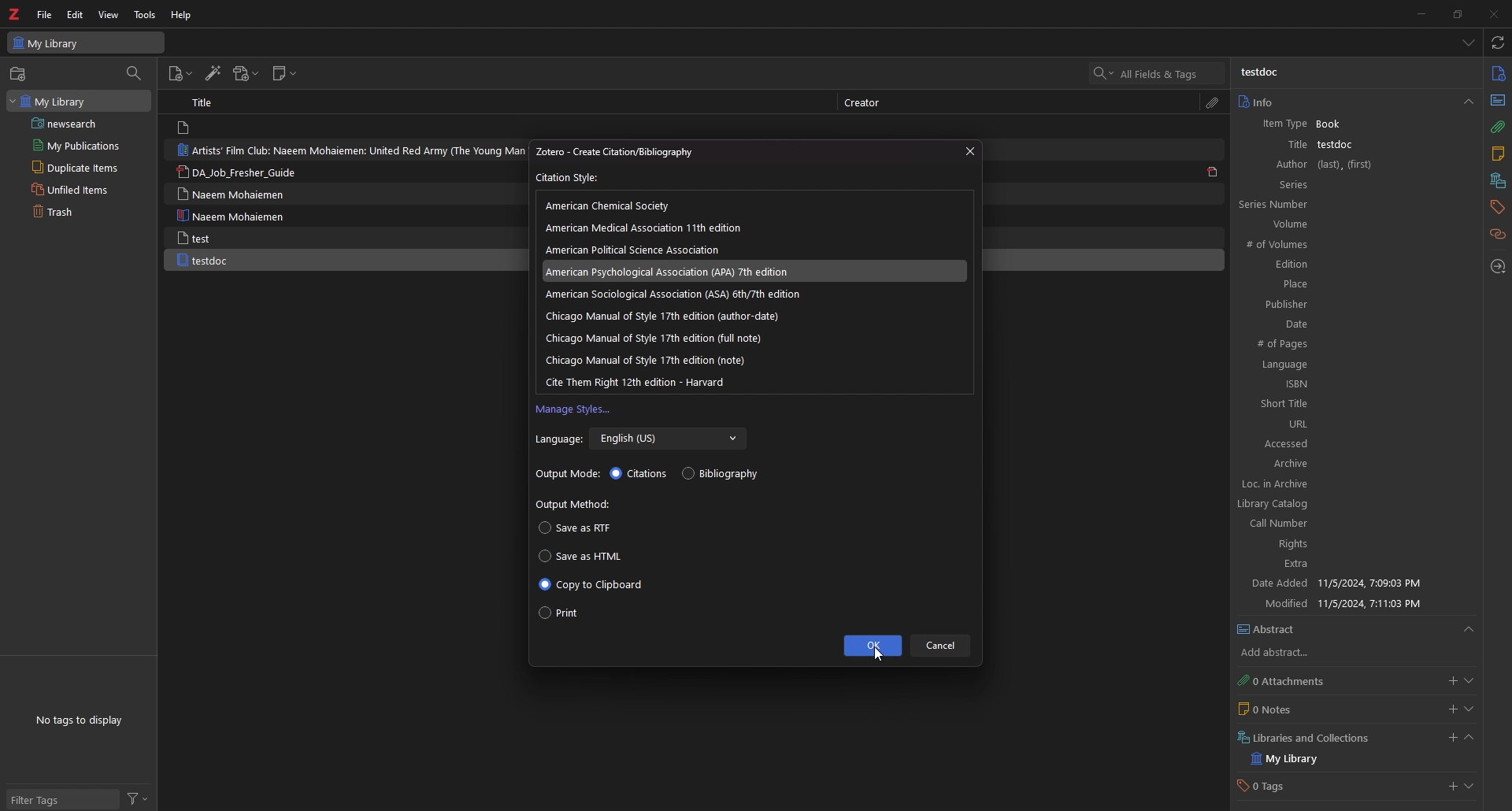 This screenshot has width=1512, height=811. Describe the element at coordinates (1343, 546) in the screenshot. I see `Rights` at that location.